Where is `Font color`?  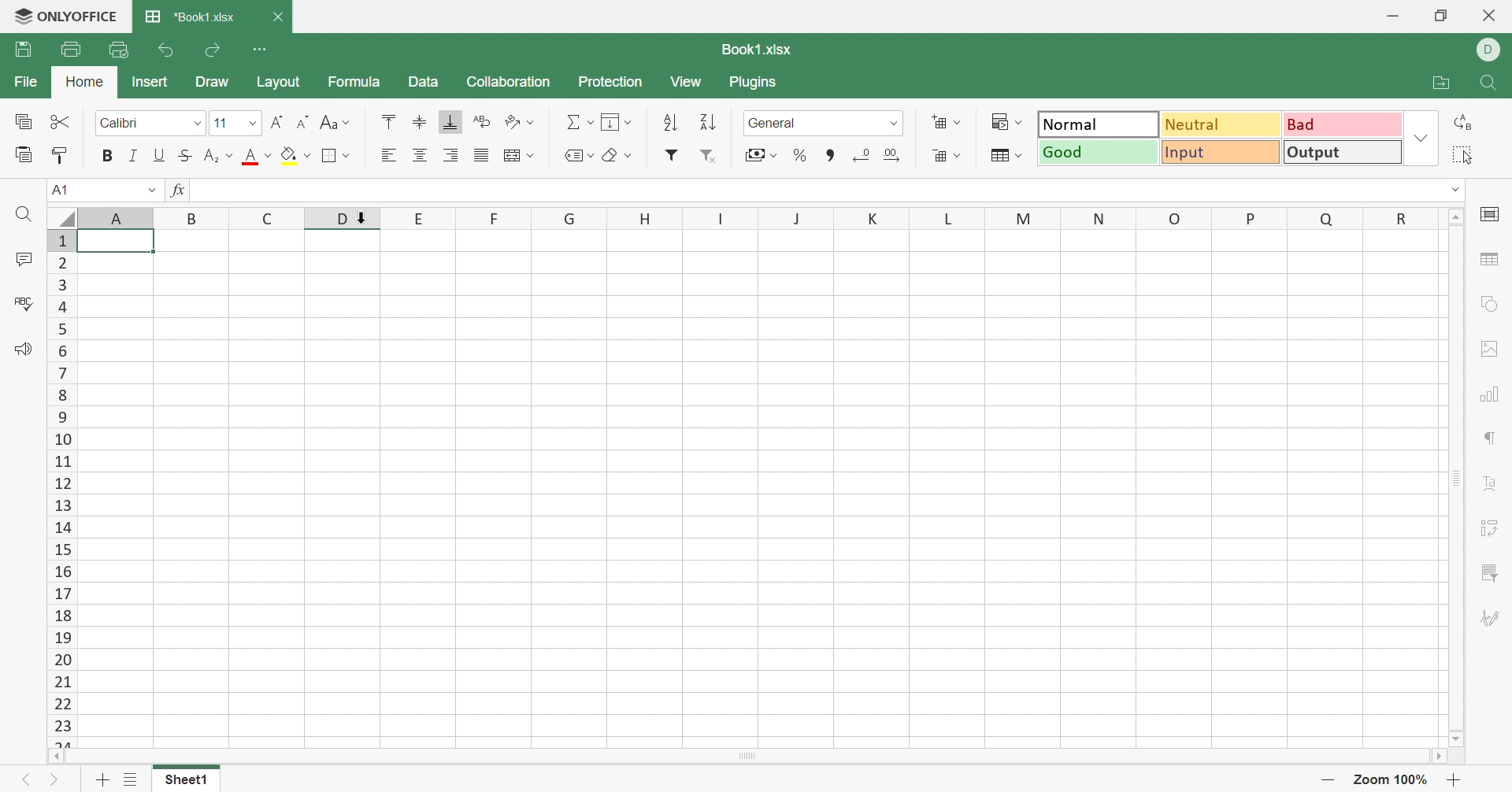 Font color is located at coordinates (253, 156).